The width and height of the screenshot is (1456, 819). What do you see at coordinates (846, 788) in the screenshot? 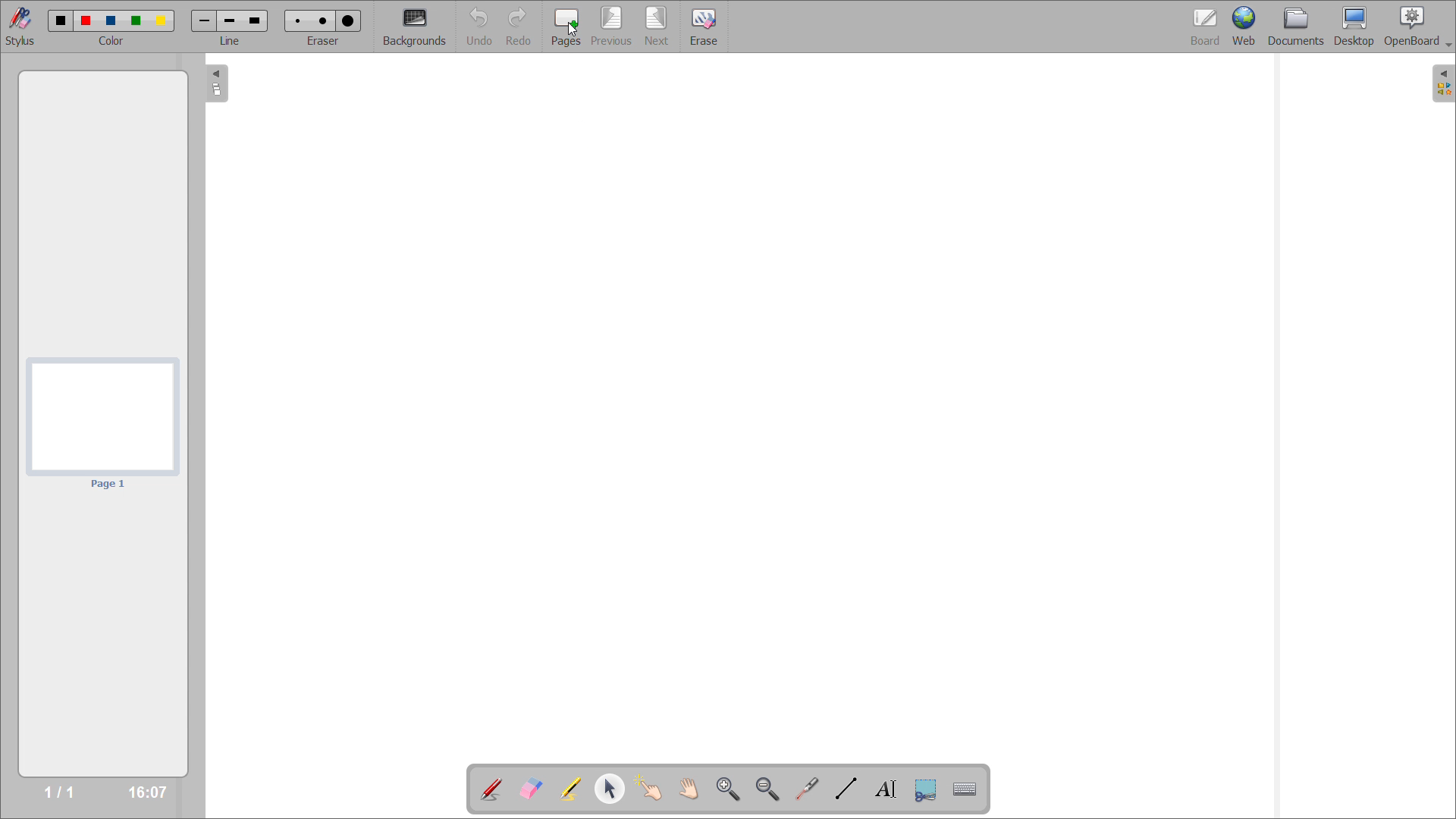
I see `draw line` at bounding box center [846, 788].